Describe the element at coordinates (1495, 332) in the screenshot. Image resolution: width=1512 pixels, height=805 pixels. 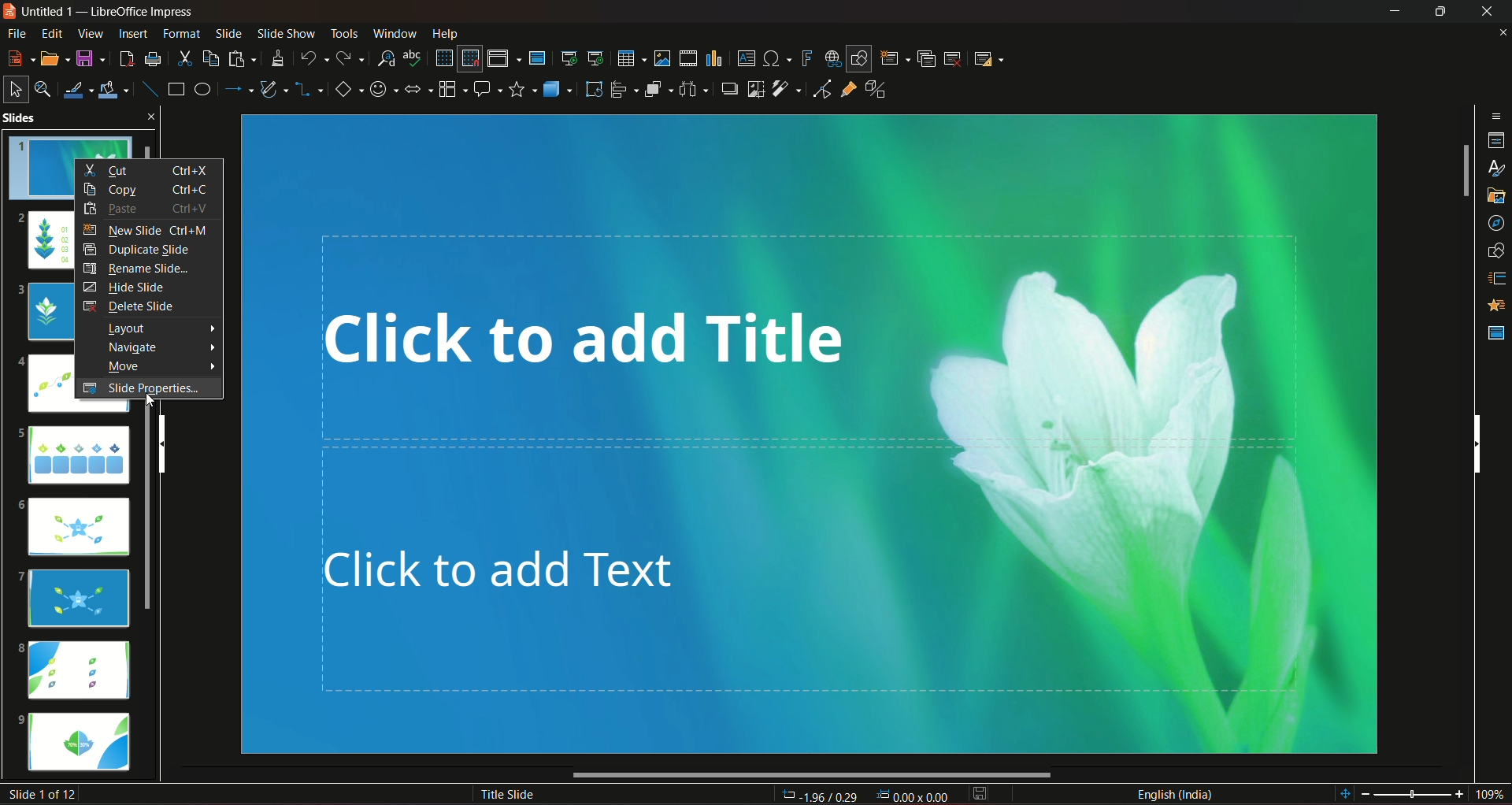
I see `master slides ` at that location.